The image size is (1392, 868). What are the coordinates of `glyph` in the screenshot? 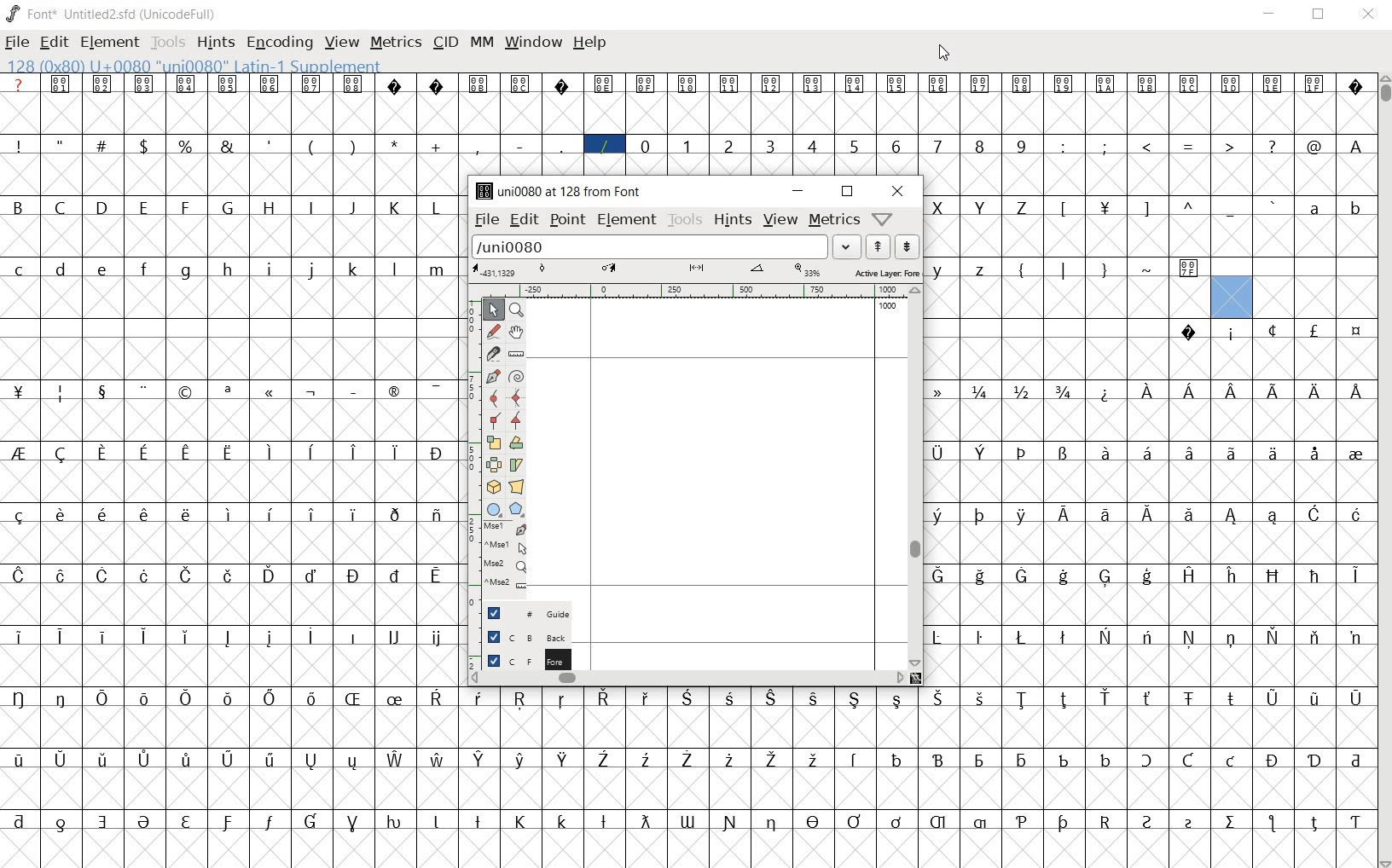 It's located at (938, 760).